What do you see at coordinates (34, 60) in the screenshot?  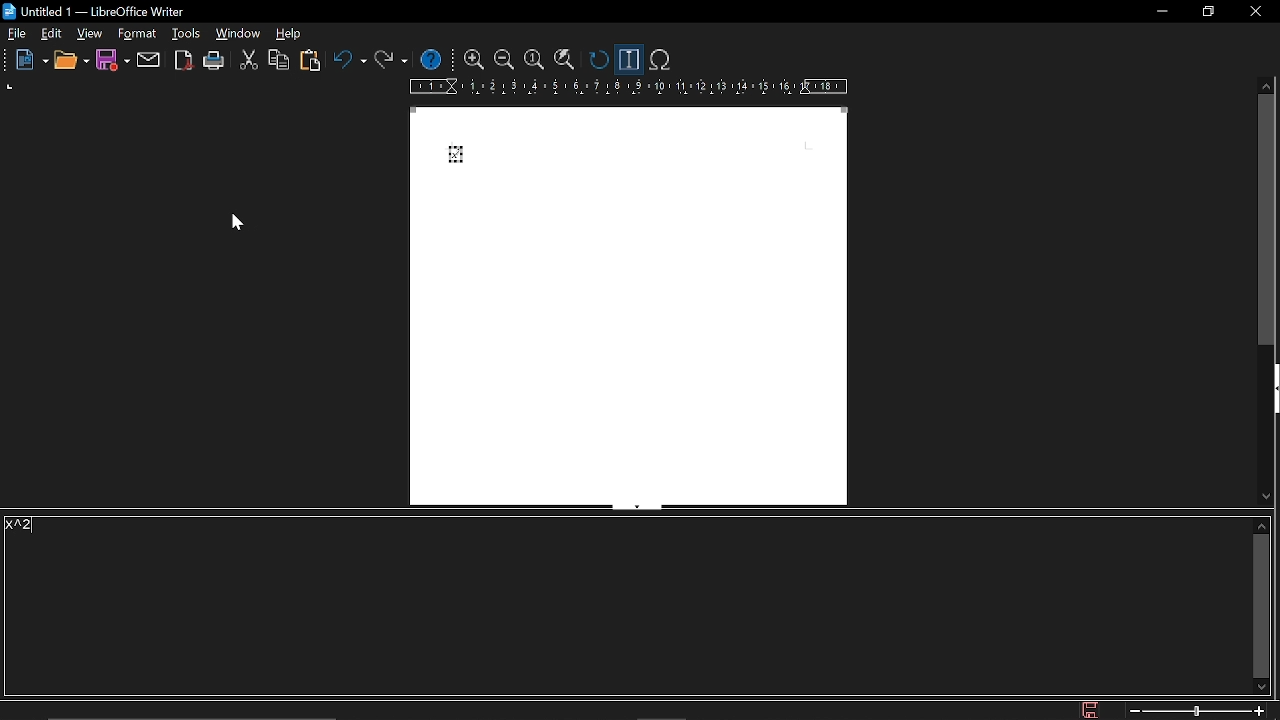 I see `new` at bounding box center [34, 60].